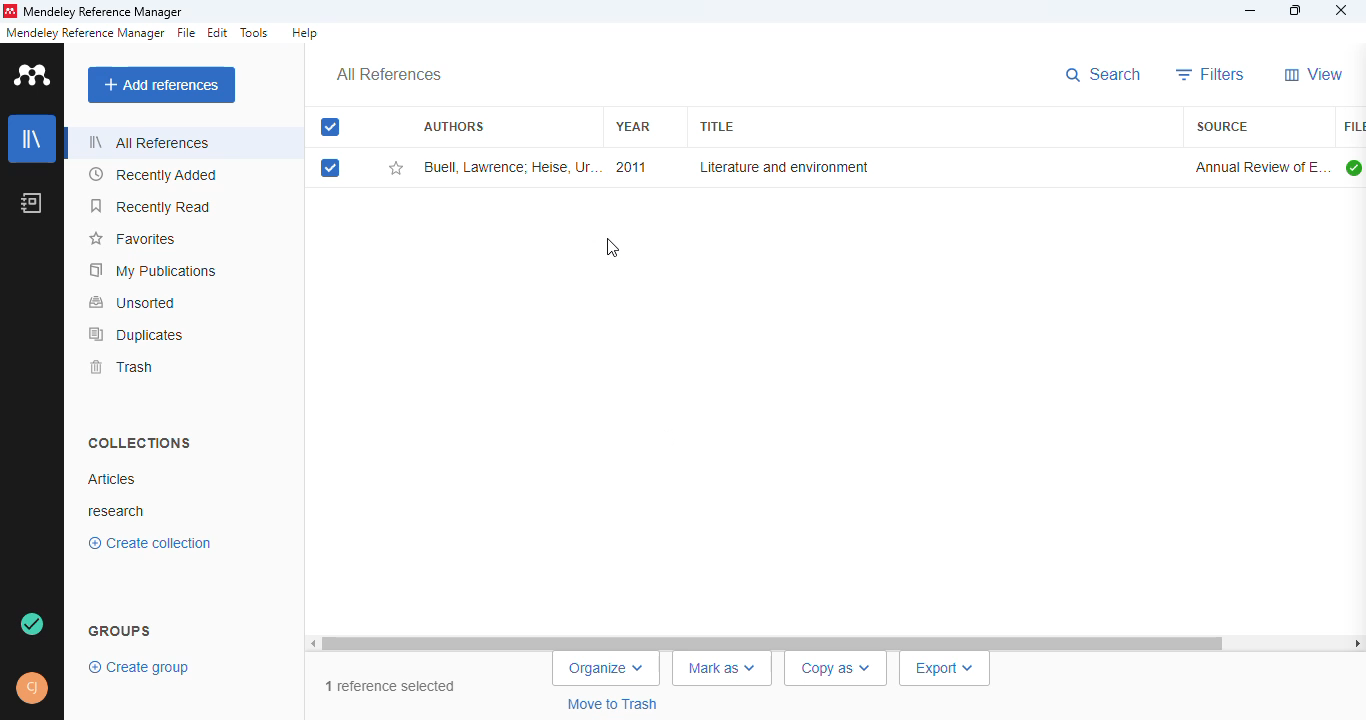  I want to click on recently added, so click(153, 174).